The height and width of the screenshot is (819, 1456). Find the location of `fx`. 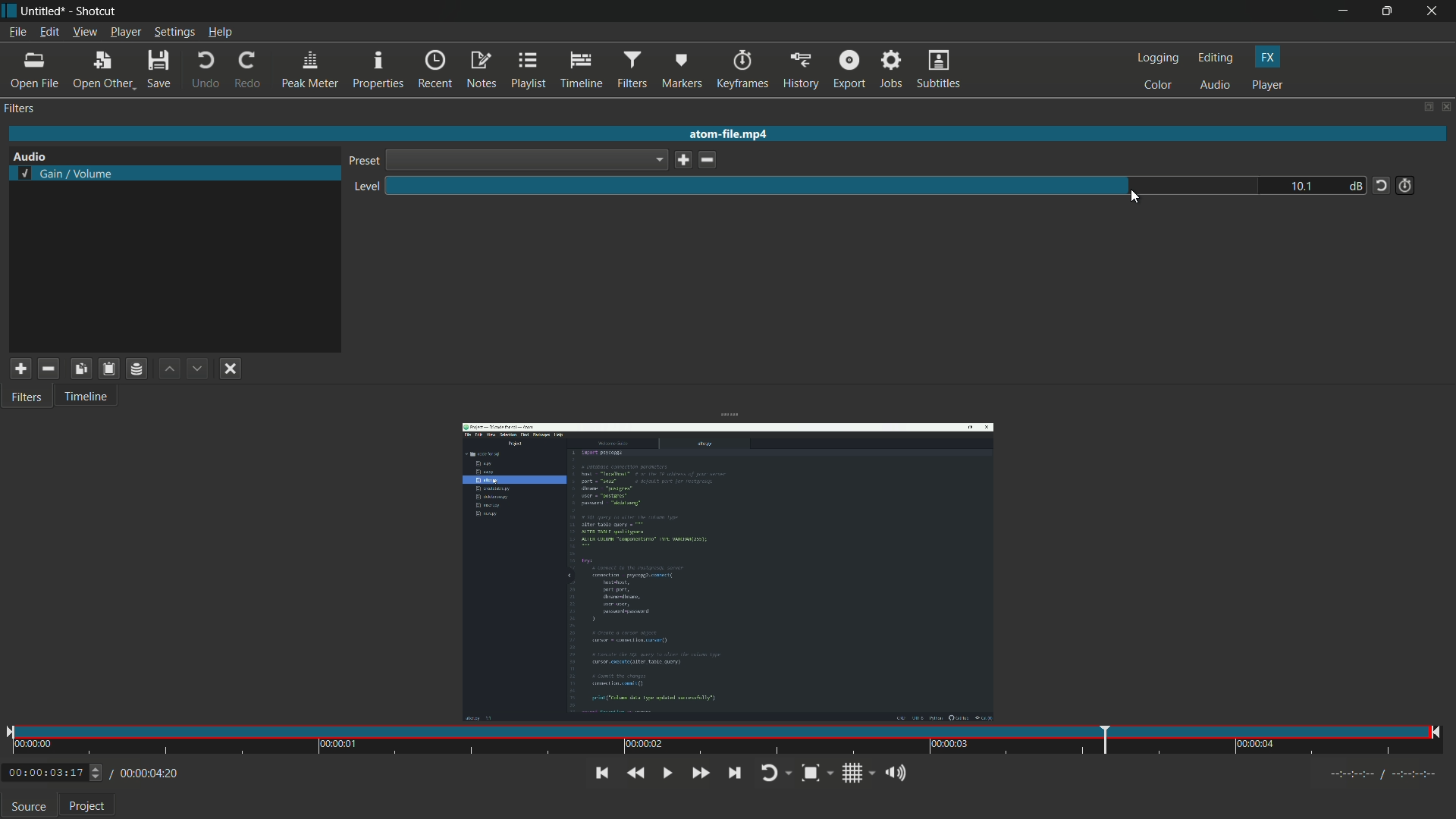

fx is located at coordinates (1267, 58).